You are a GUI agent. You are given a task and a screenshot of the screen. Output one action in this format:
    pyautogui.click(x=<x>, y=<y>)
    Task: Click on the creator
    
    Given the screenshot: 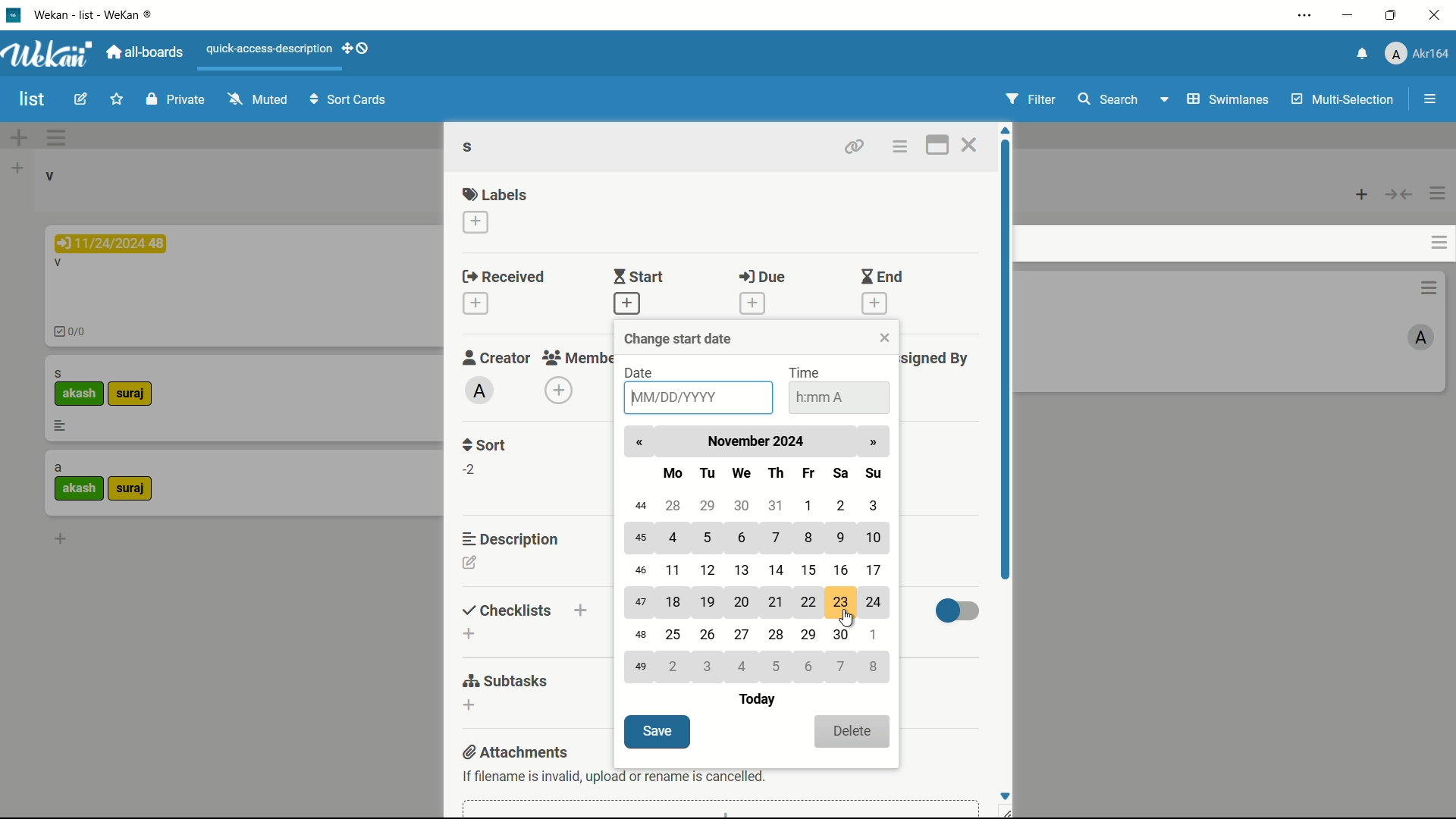 What is the action you would take?
    pyautogui.click(x=493, y=357)
    